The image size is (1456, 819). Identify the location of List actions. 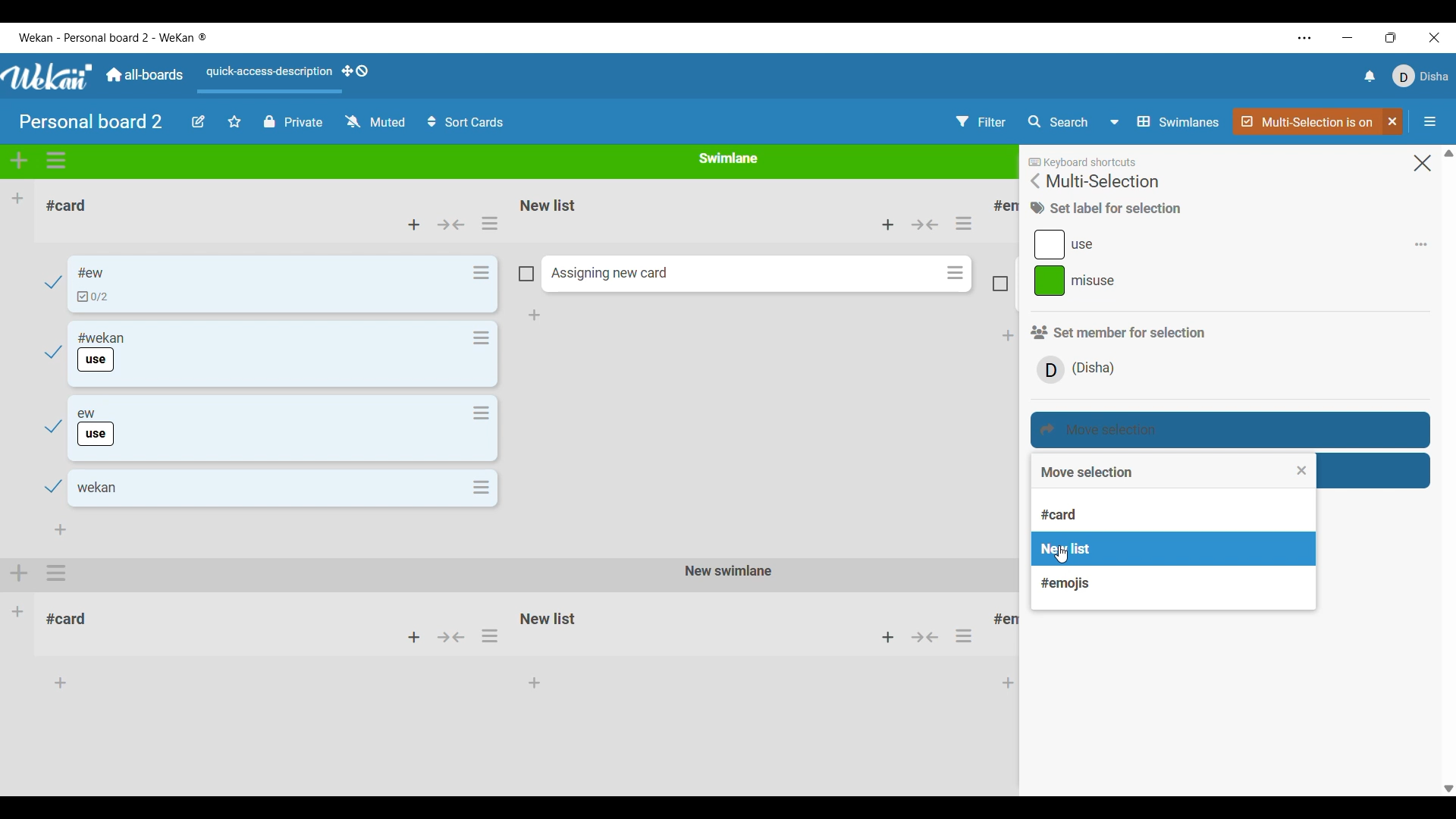
(964, 223).